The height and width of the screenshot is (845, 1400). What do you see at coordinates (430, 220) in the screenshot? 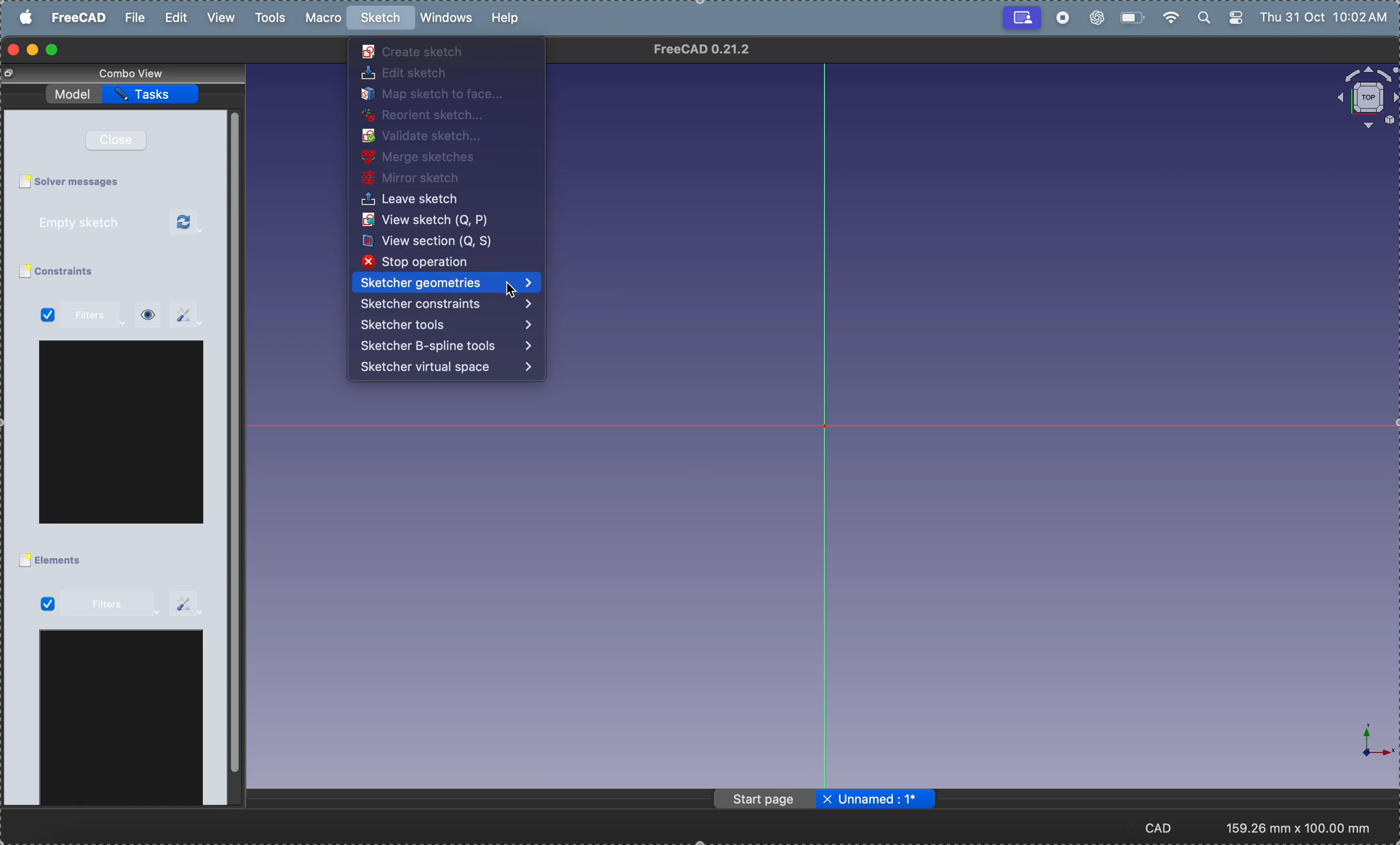
I see `view sketch` at bounding box center [430, 220].